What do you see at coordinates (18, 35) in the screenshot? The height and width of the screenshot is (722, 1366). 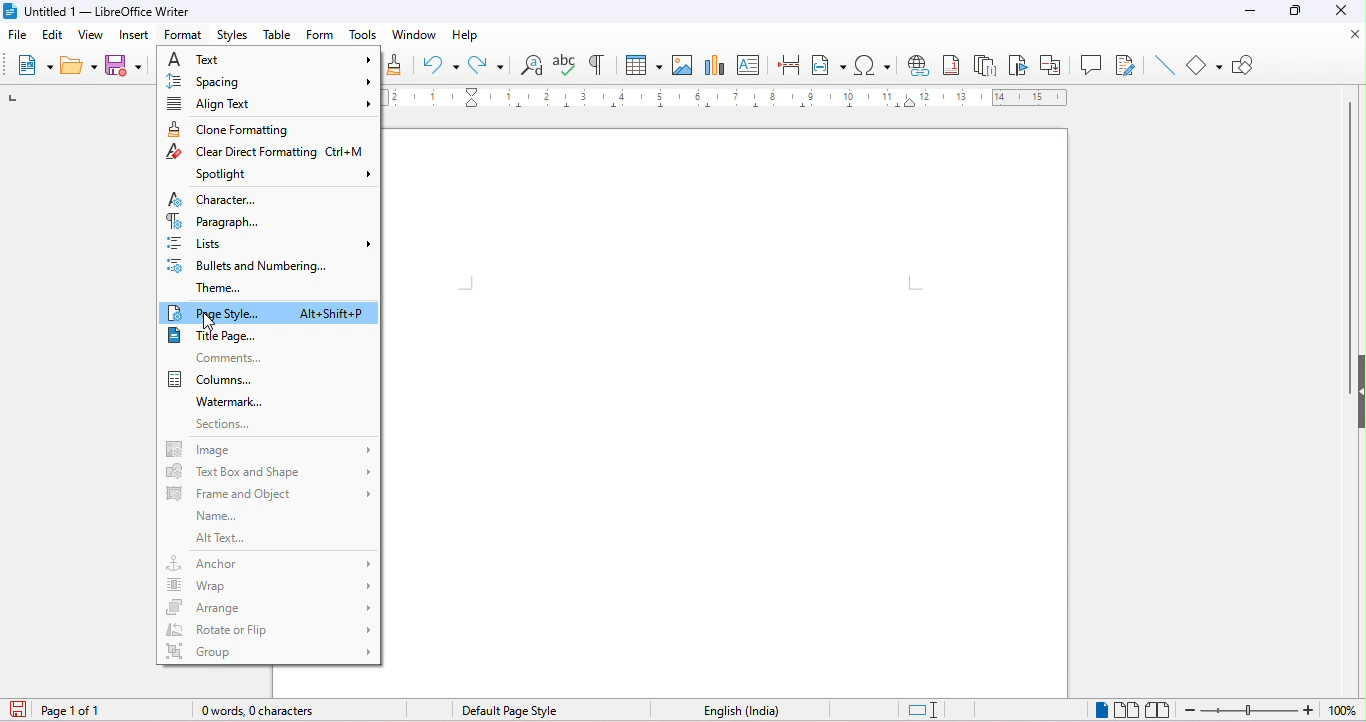 I see `file` at bounding box center [18, 35].